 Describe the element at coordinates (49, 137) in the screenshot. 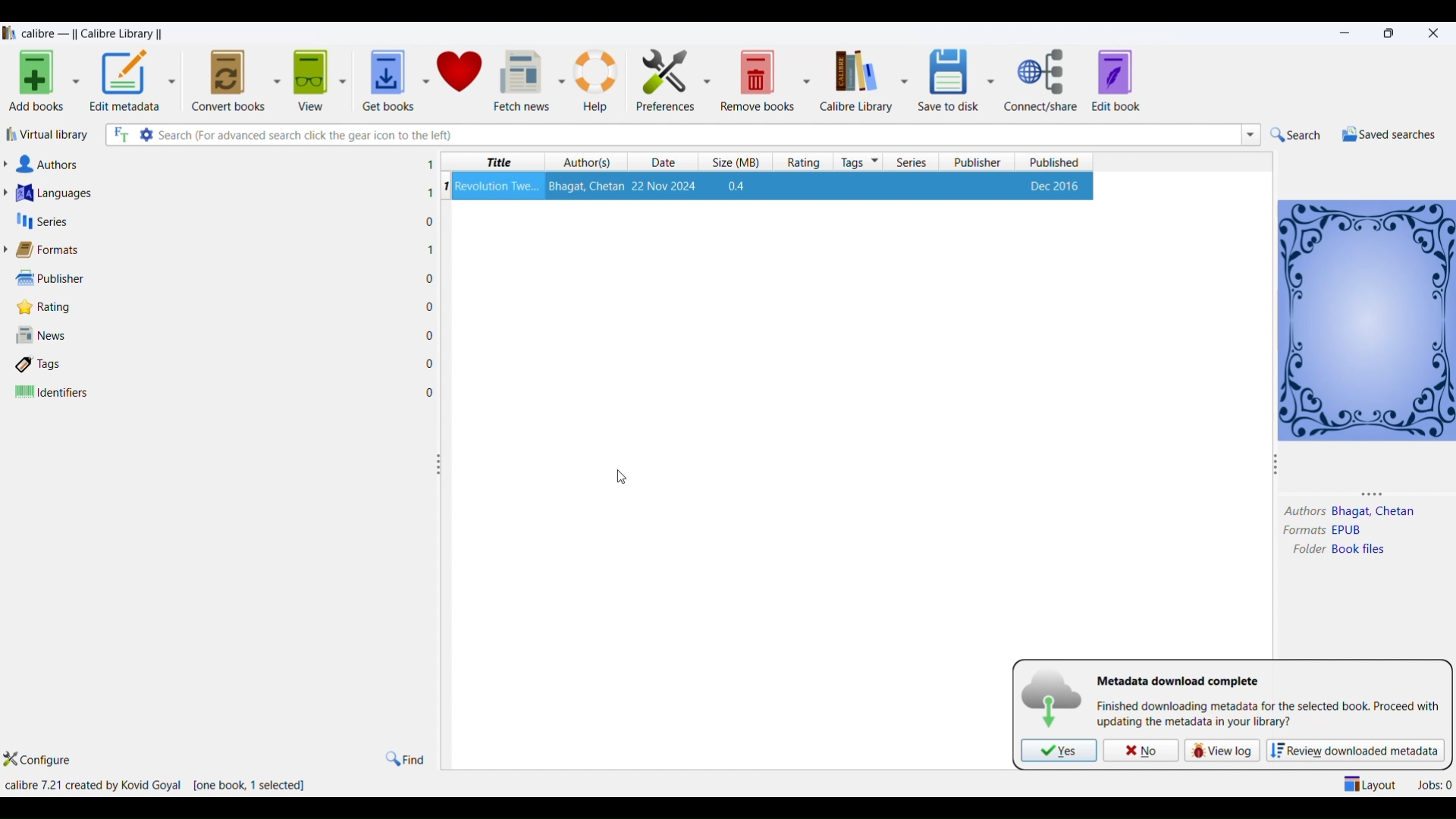

I see `virtual library` at that location.